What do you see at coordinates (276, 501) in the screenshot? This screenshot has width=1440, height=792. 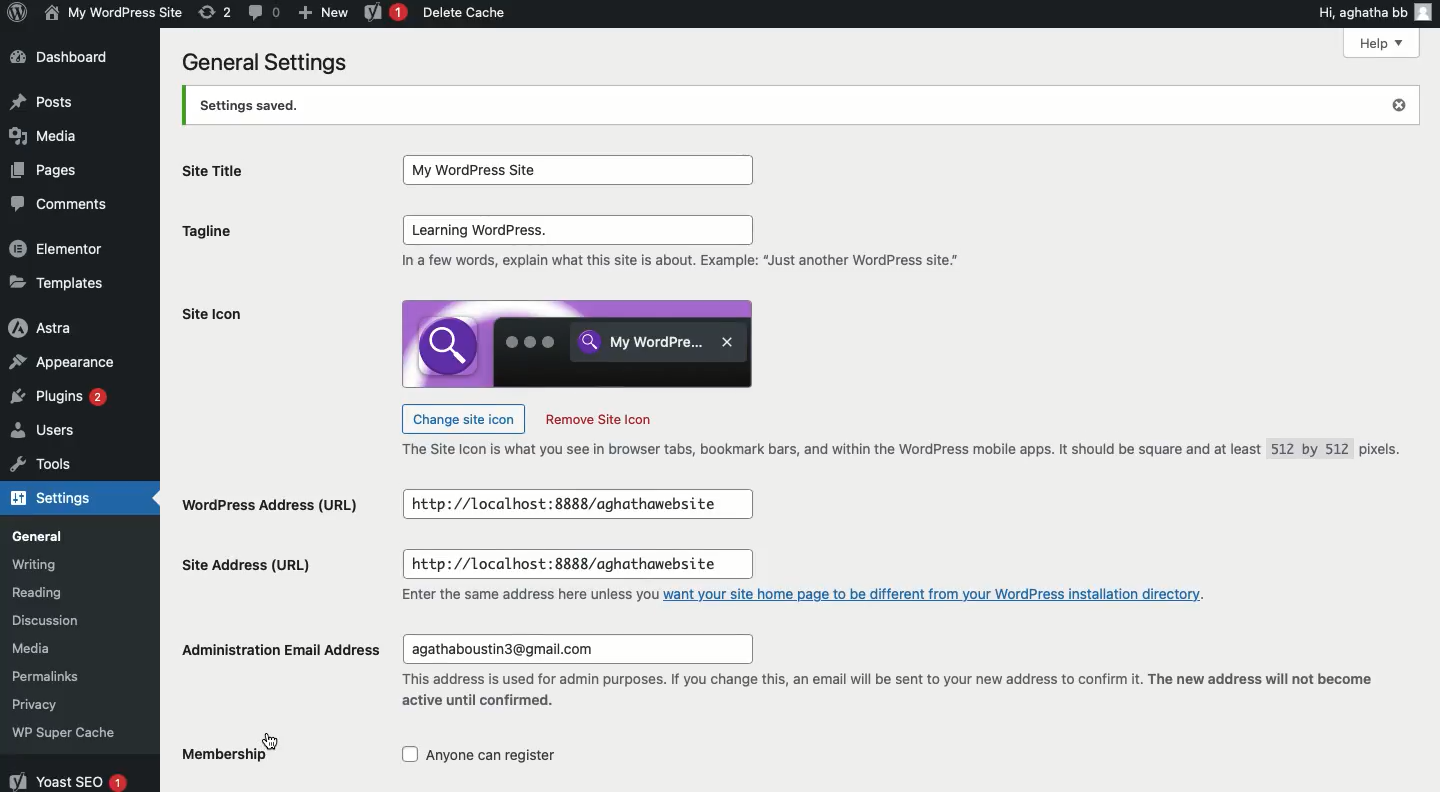 I see `Wordpress address (url)` at bounding box center [276, 501].